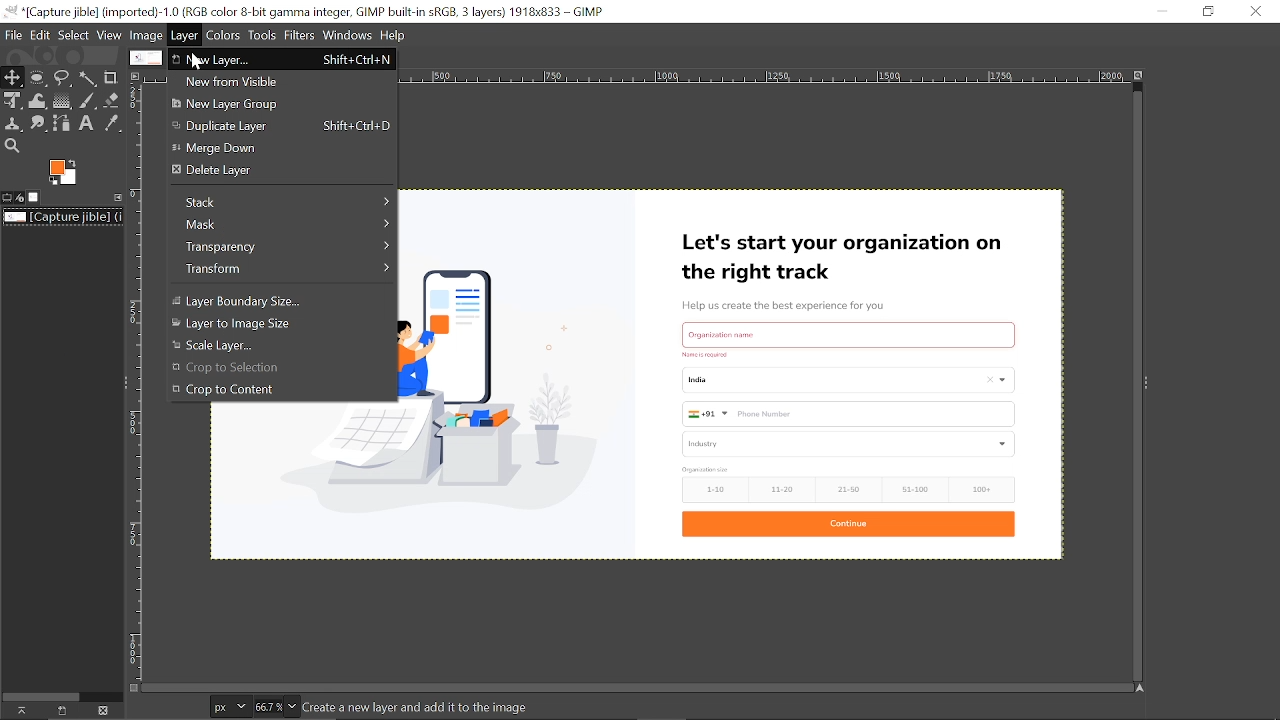 The width and height of the screenshot is (1280, 720). What do you see at coordinates (279, 300) in the screenshot?
I see `Layer Boundary size` at bounding box center [279, 300].